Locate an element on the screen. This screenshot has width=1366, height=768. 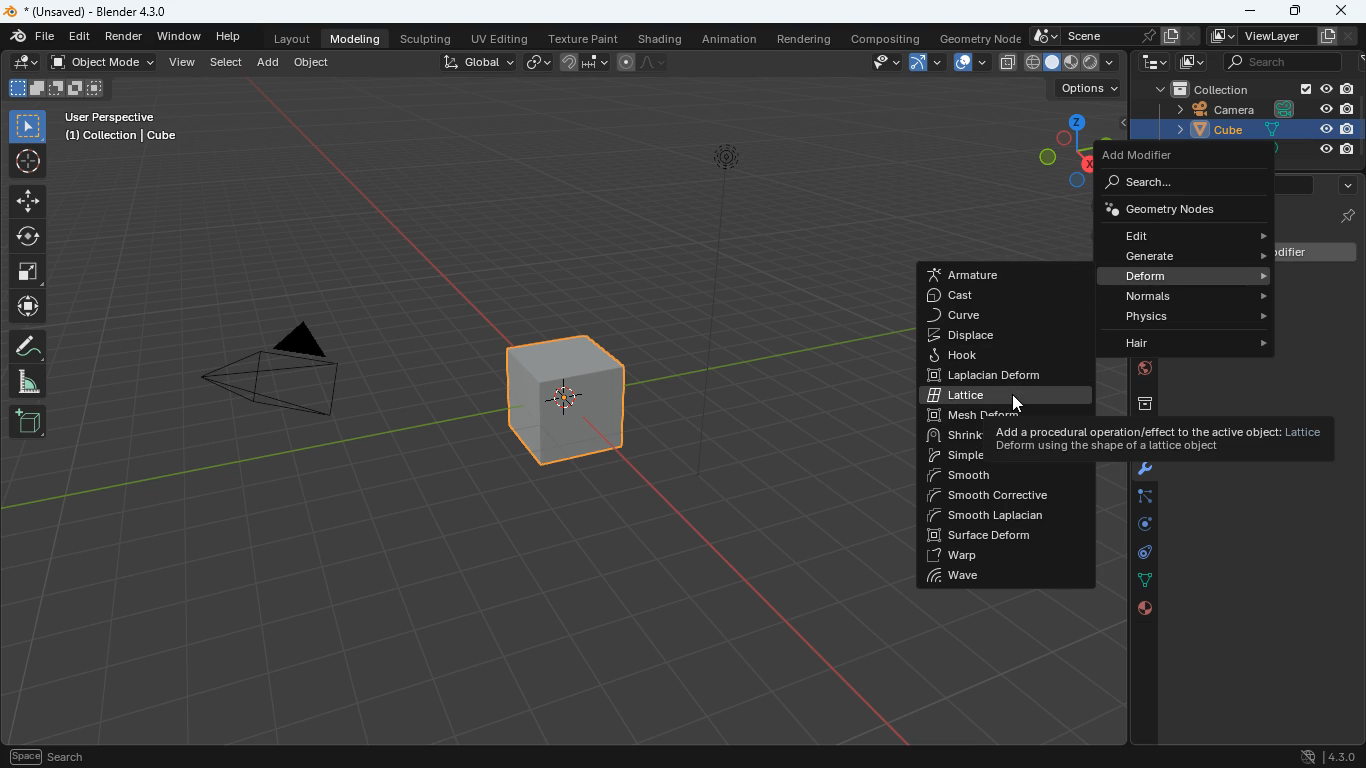
modifiers is located at coordinates (1141, 472).